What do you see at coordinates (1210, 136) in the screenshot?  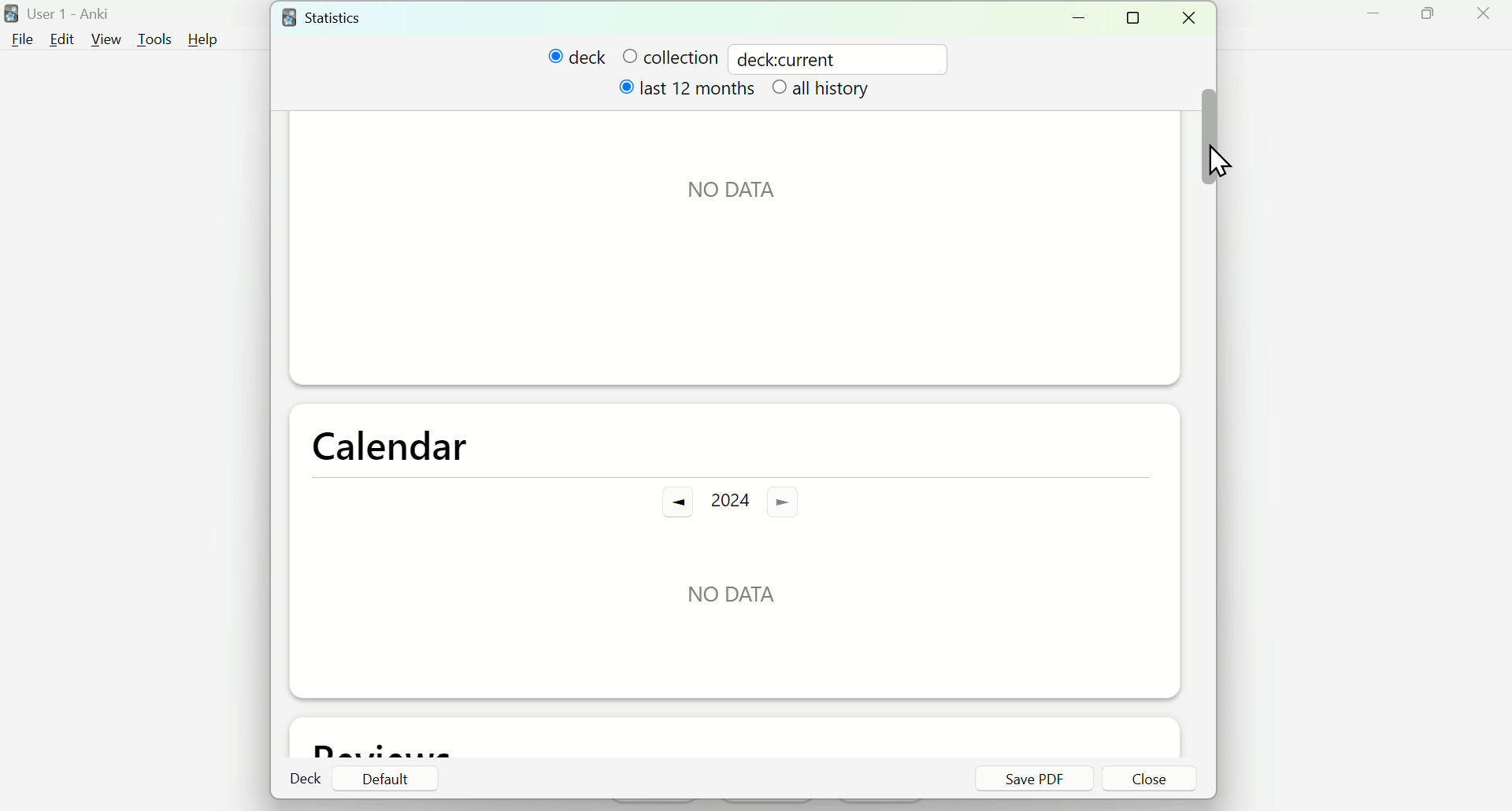 I see `Vertical scrollbar` at bounding box center [1210, 136].